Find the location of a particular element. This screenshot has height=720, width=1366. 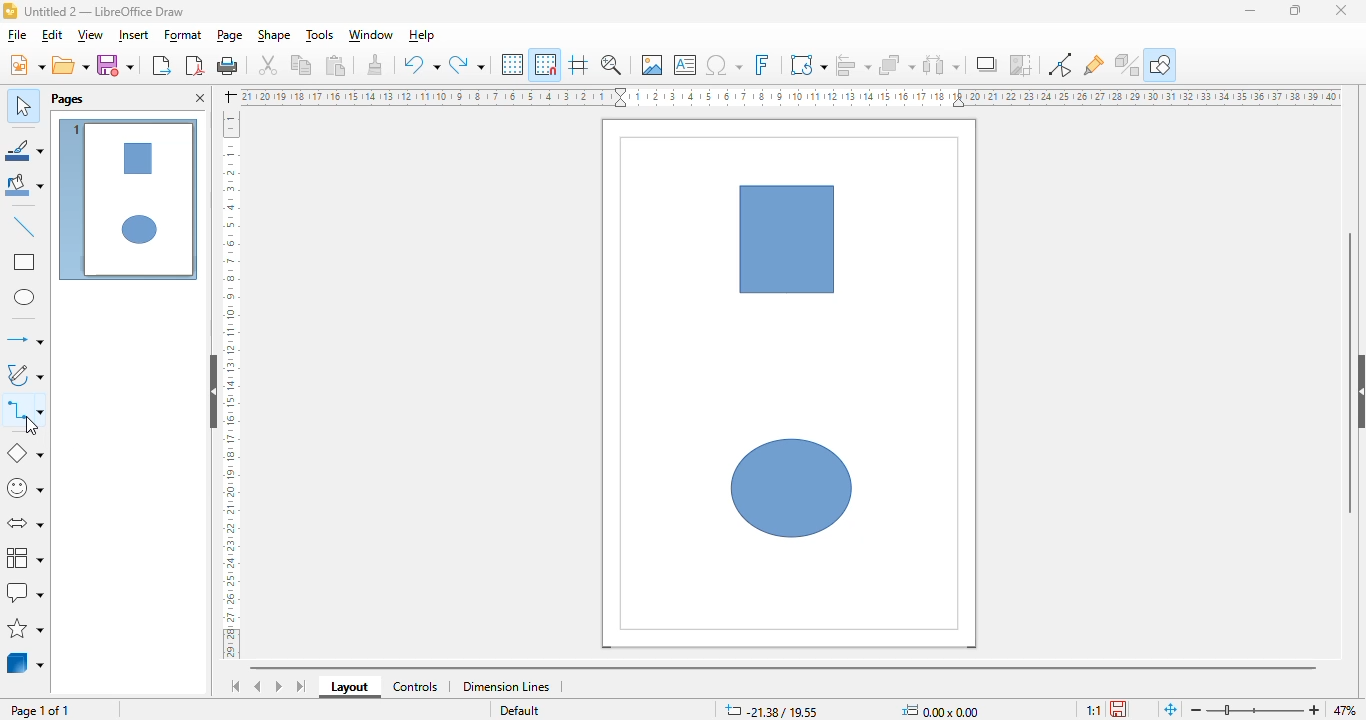

copy is located at coordinates (301, 65).